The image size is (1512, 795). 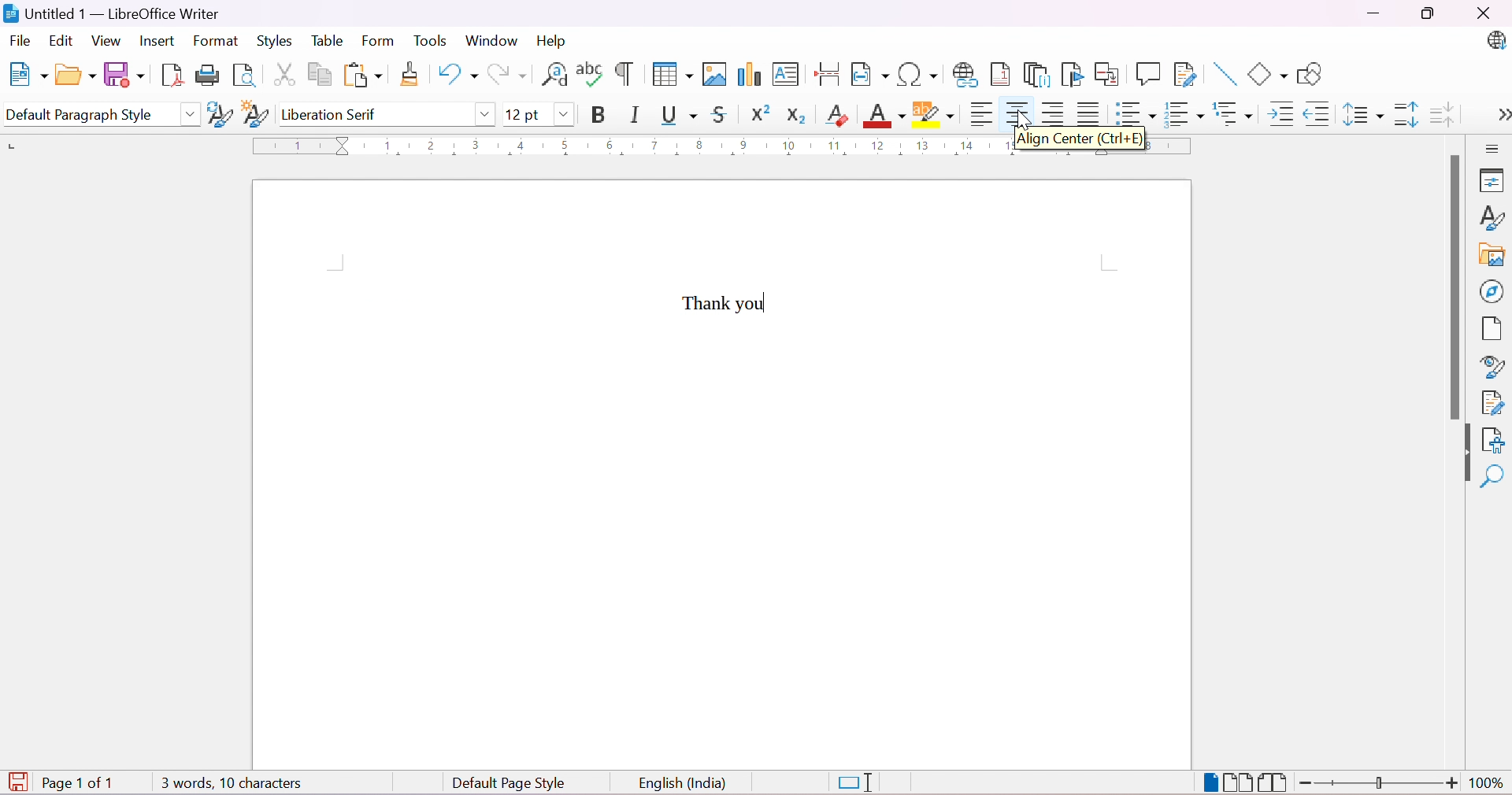 What do you see at coordinates (1492, 217) in the screenshot?
I see `Styles` at bounding box center [1492, 217].